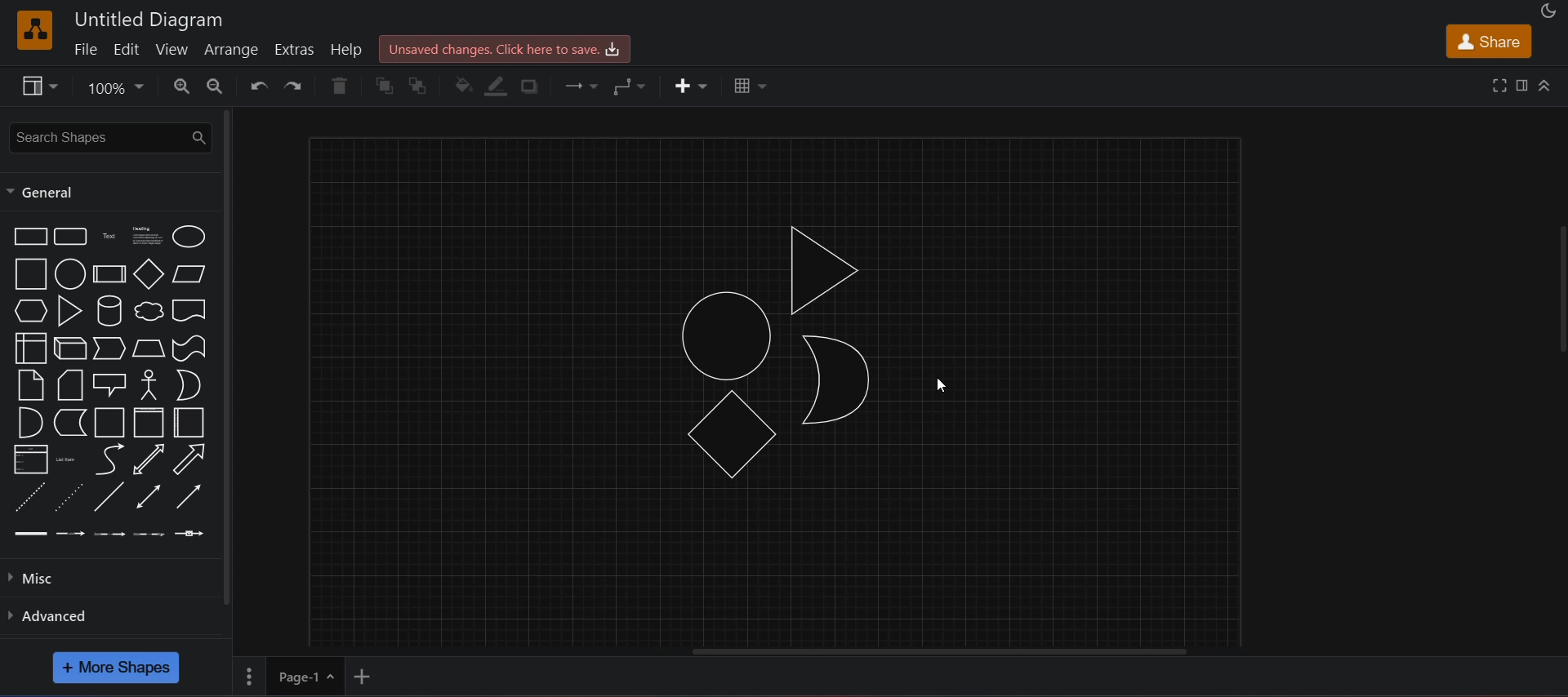 This screenshot has width=1568, height=697. What do you see at coordinates (189, 274) in the screenshot?
I see `parallelogram` at bounding box center [189, 274].